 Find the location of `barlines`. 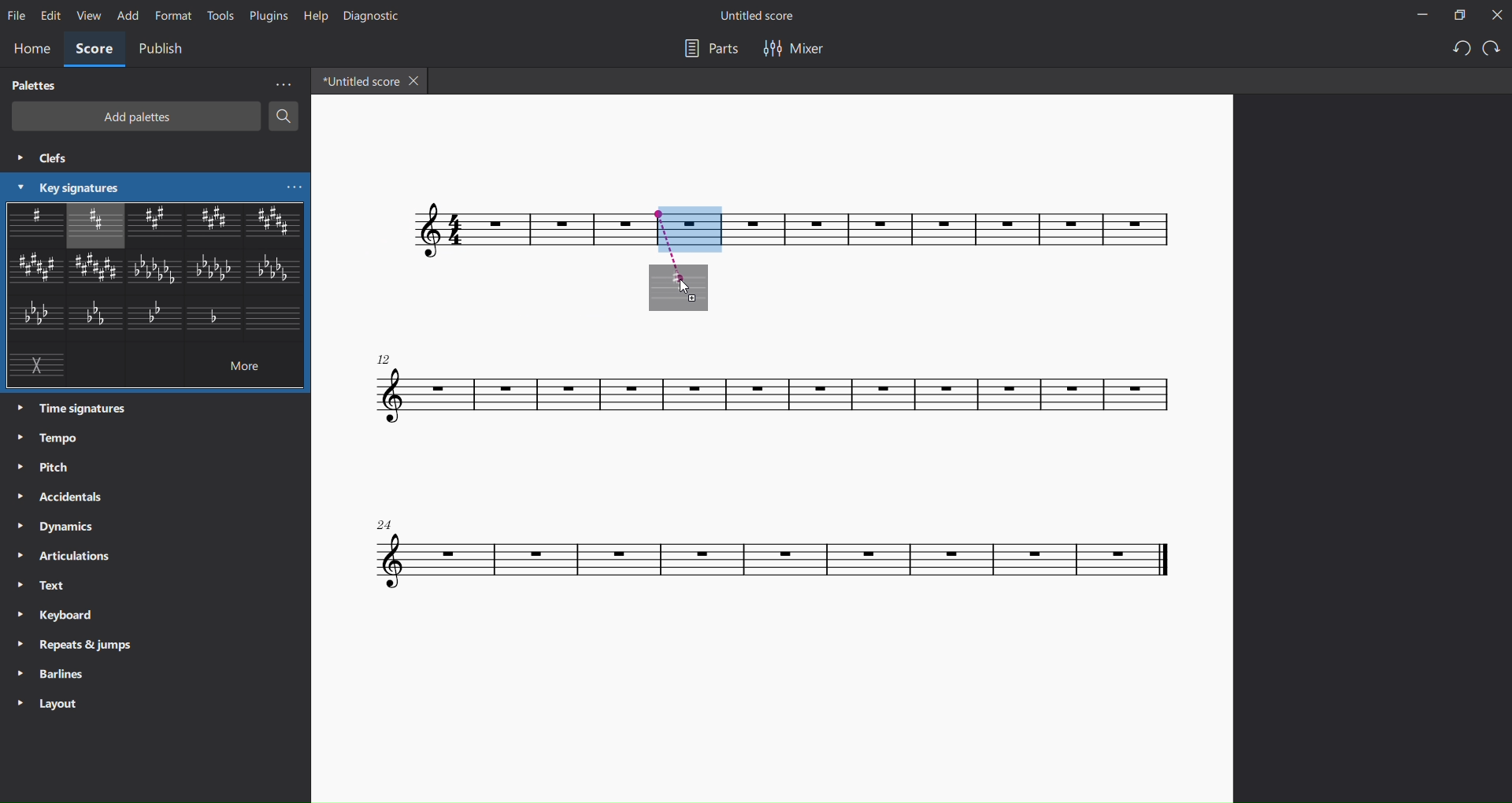

barlines is located at coordinates (51, 675).